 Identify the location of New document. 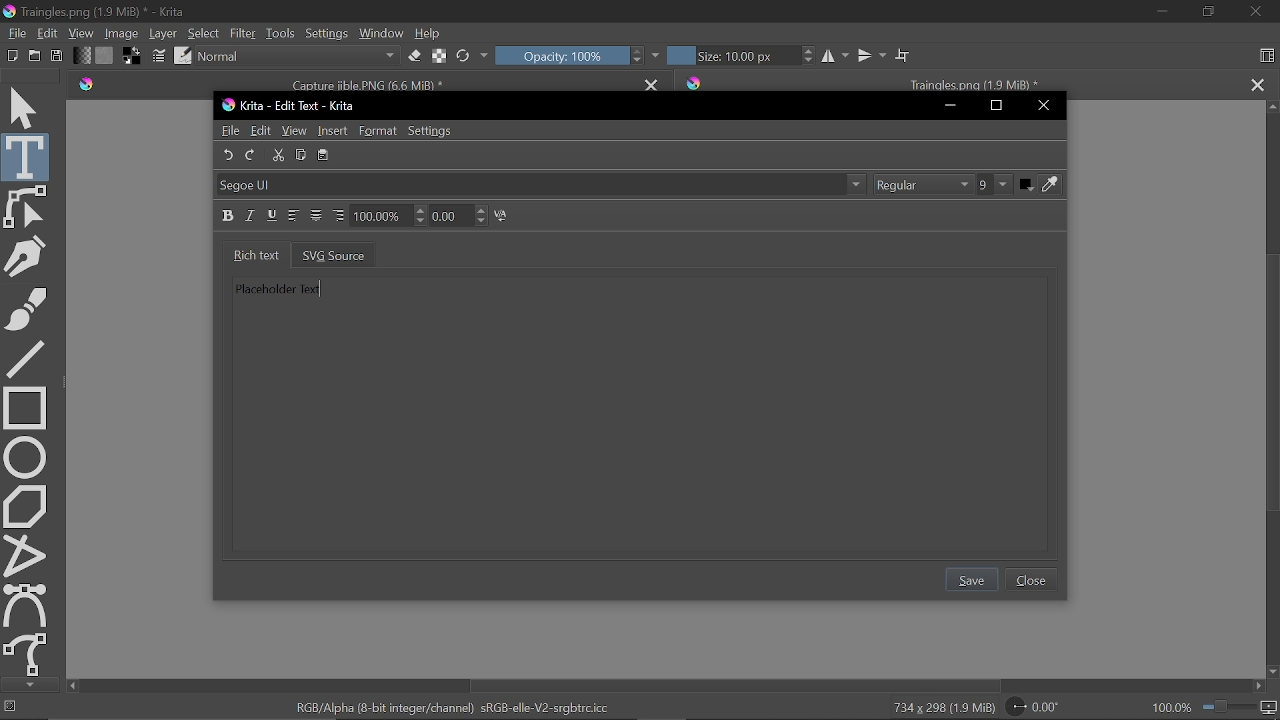
(10, 54).